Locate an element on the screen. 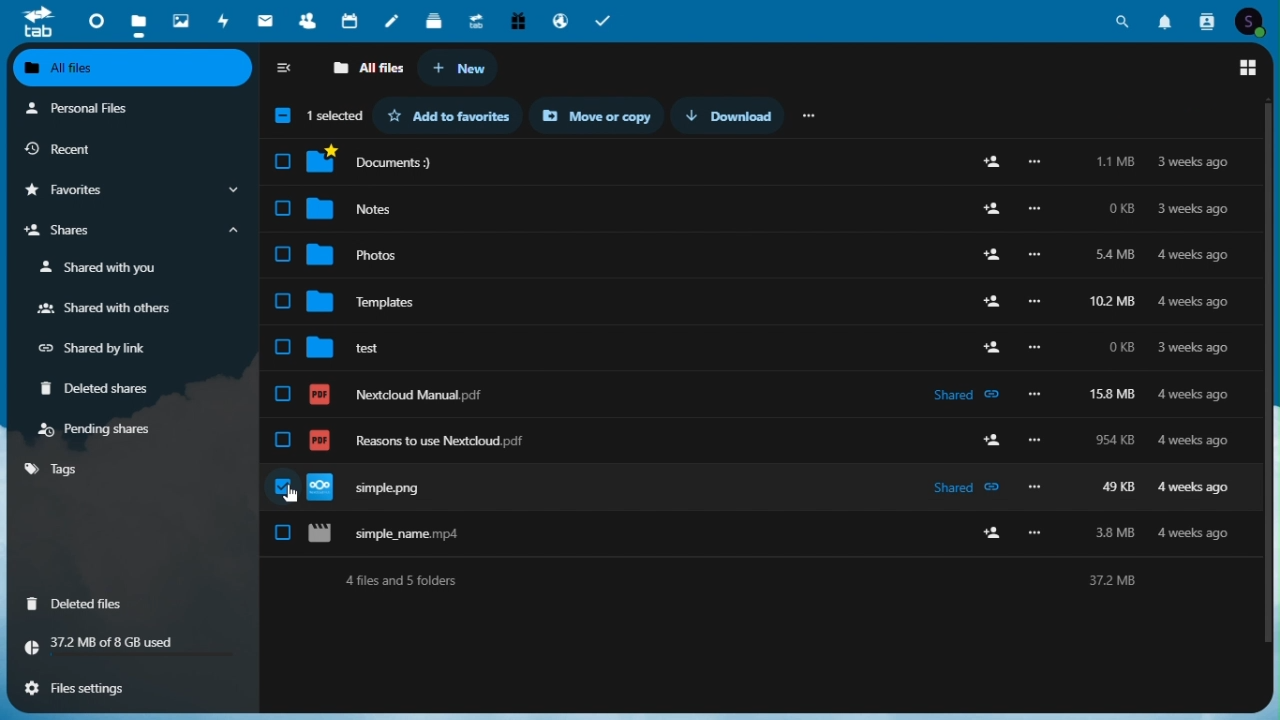 This screenshot has width=1280, height=720. contacts is located at coordinates (307, 20).